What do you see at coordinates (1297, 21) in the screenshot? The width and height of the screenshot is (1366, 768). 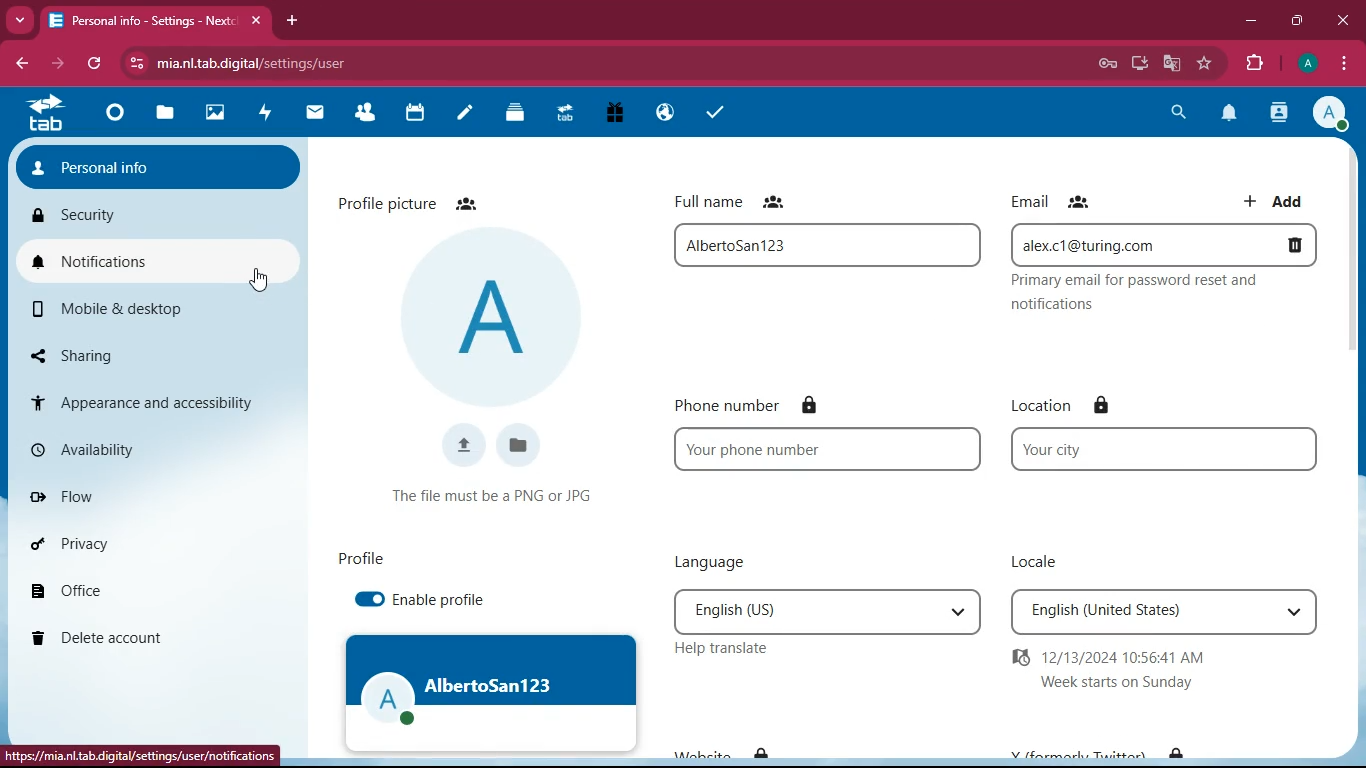 I see `maximize` at bounding box center [1297, 21].